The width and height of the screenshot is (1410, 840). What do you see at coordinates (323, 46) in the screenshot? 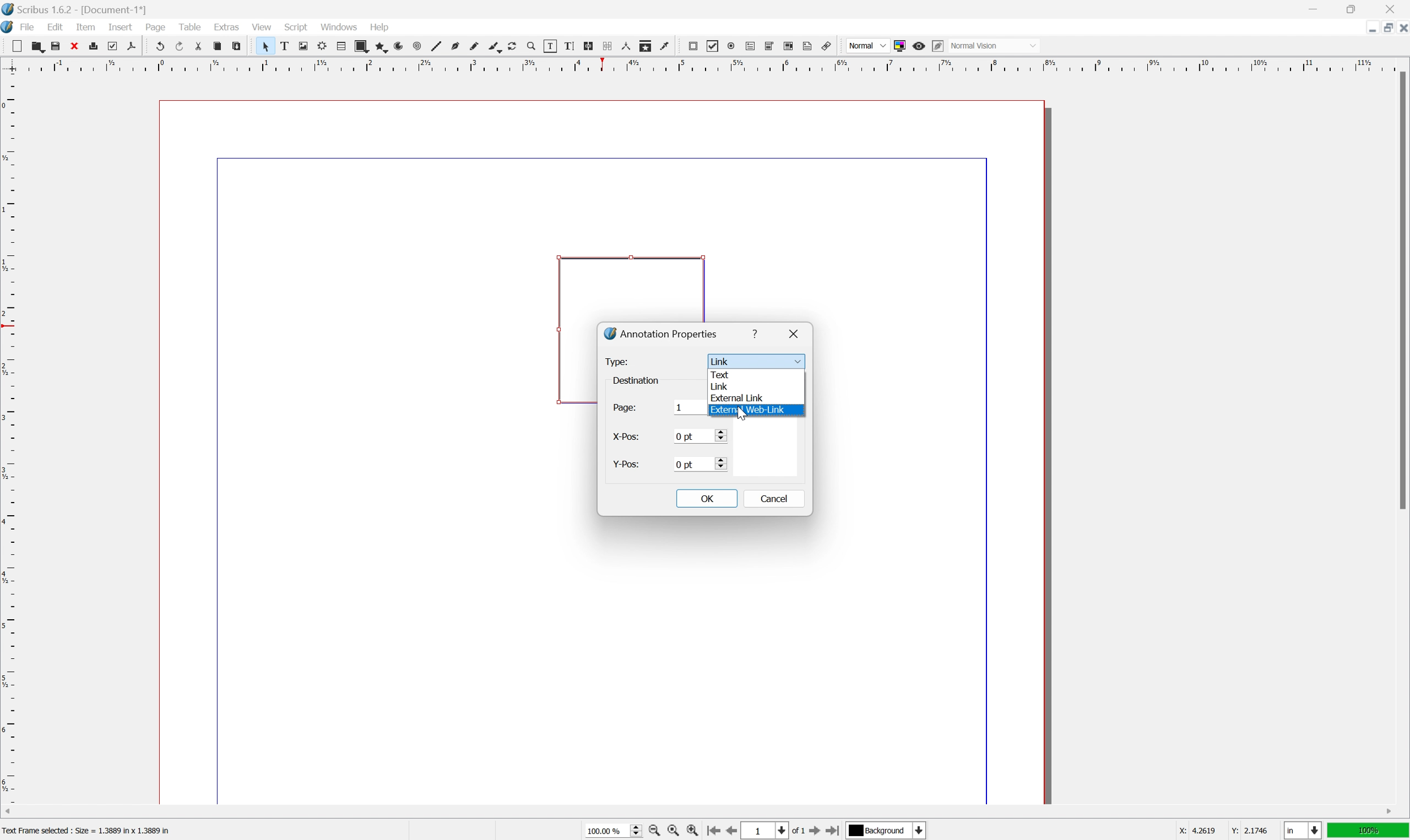
I see `render frame` at bounding box center [323, 46].